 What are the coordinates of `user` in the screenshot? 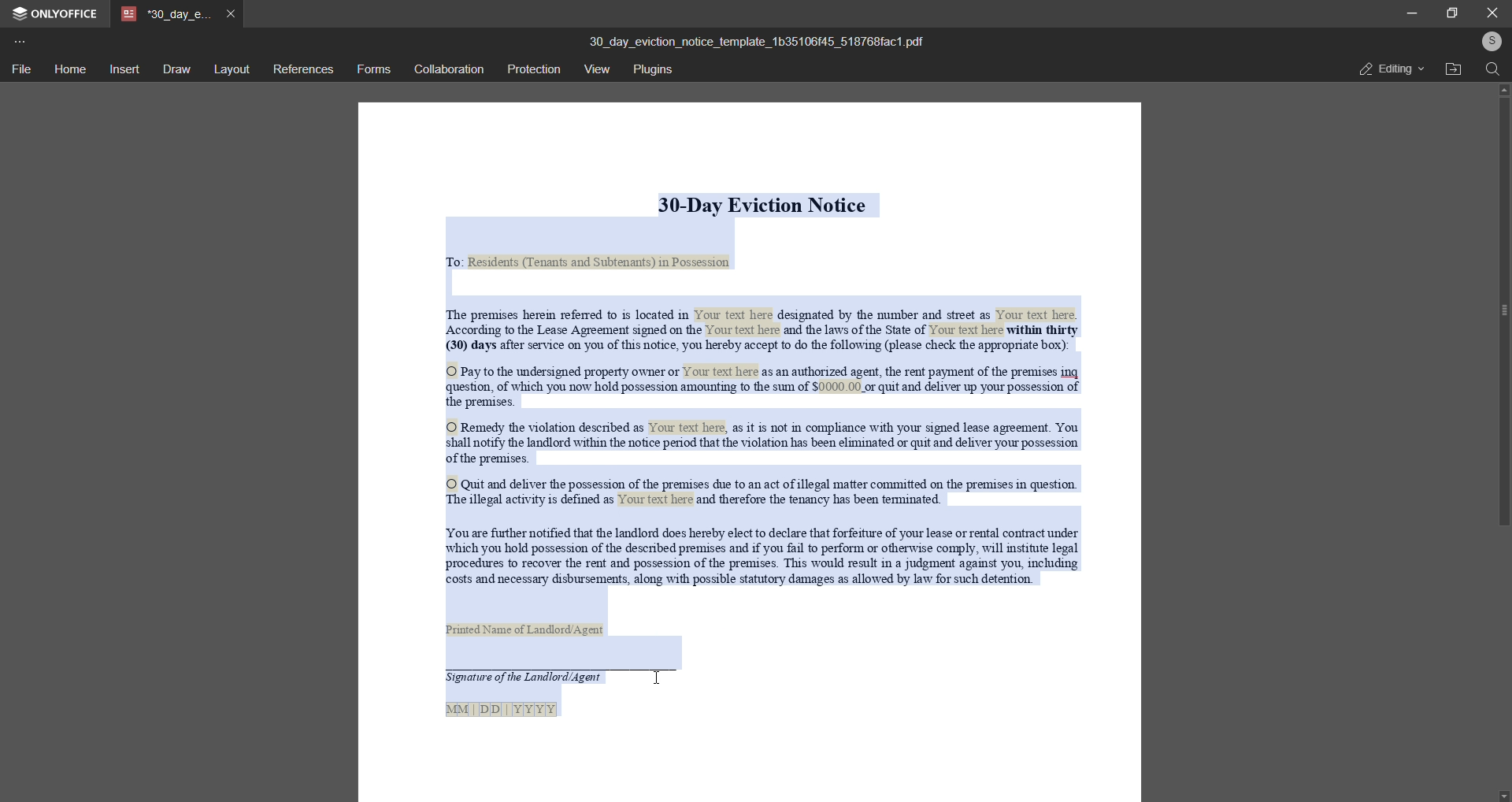 It's located at (1490, 41).